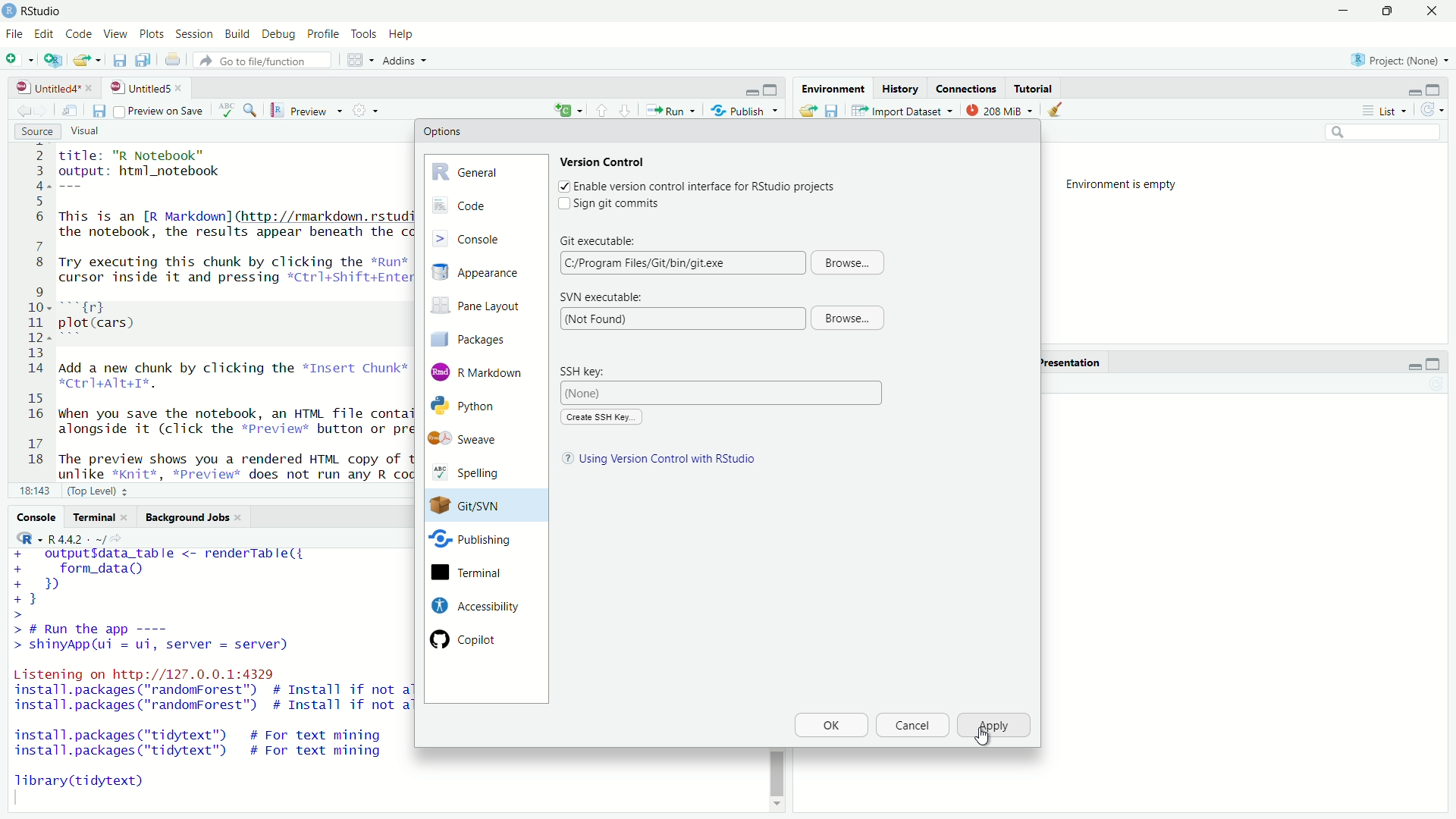 This screenshot has width=1456, height=819. Describe the element at coordinates (209, 676) in the screenshot. I see `+ outputfdata_table <- renderTable({+ form_data()+B+}>> # Run the app ----> shinyApp(ui = ui, server = server)Listening on http://127.0.0.1:4329install.packages ("randomForest") # Install if not already installedinstall.packages ("randomForest") # Install if not already installedinstall.packages ("tidytext") # For text mininginstall.packages ("tidytext") # For text miningTibrary(tidytext)` at that location.